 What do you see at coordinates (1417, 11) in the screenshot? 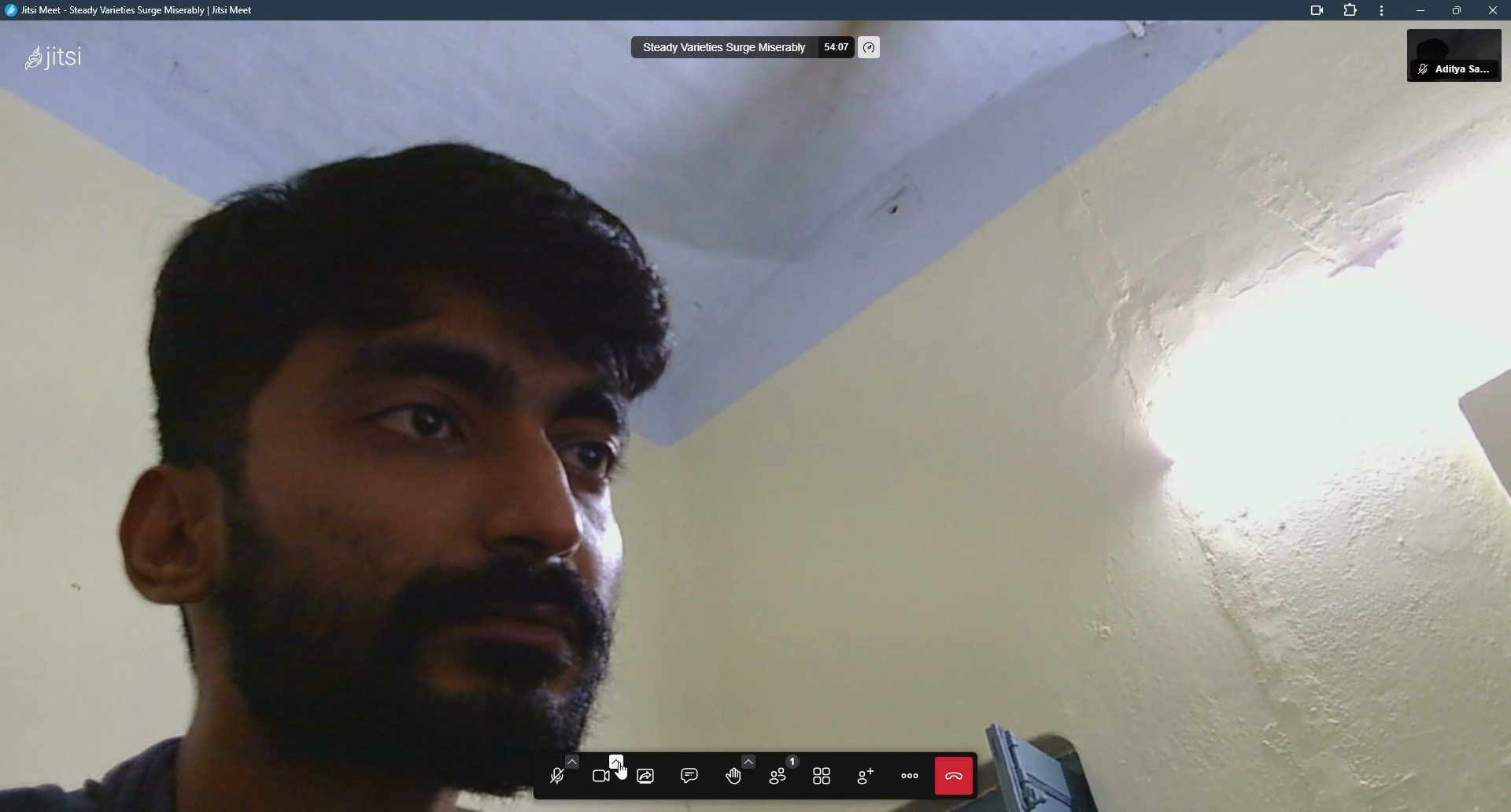
I see `minimize` at bounding box center [1417, 11].